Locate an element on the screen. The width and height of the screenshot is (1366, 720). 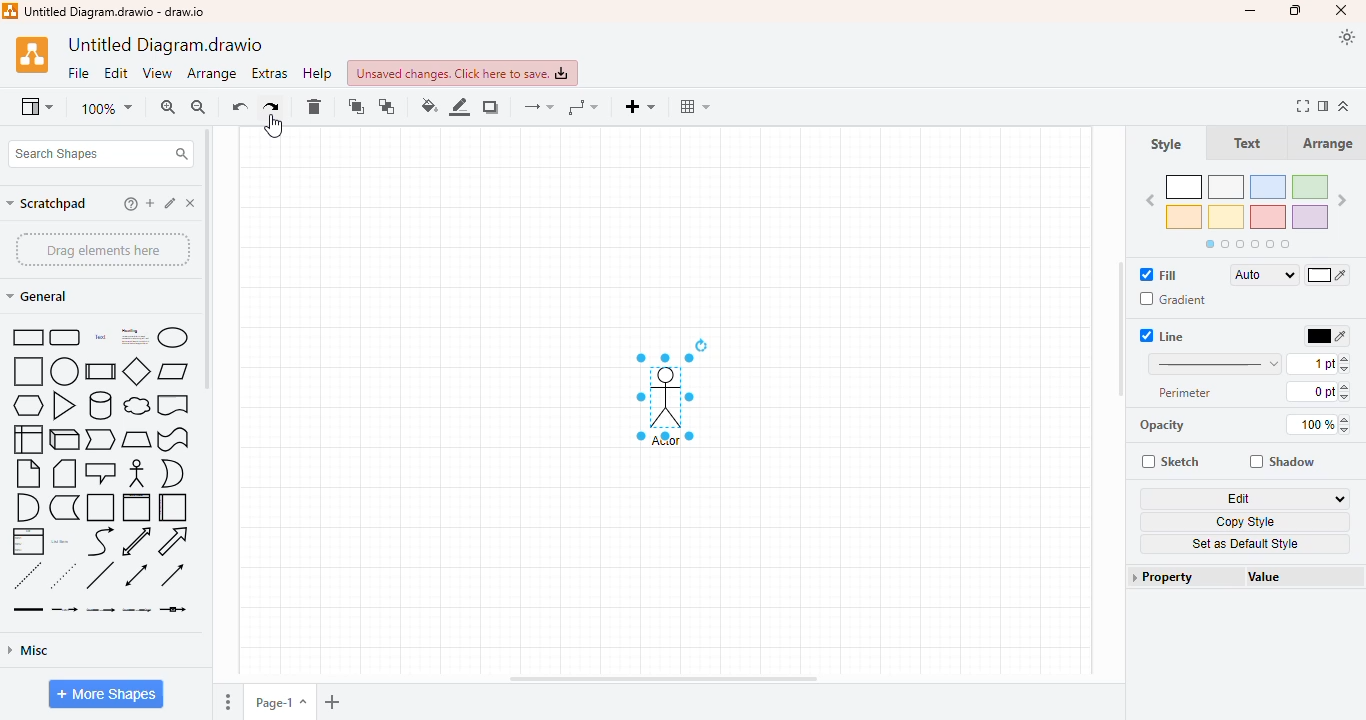
close is located at coordinates (1341, 11).